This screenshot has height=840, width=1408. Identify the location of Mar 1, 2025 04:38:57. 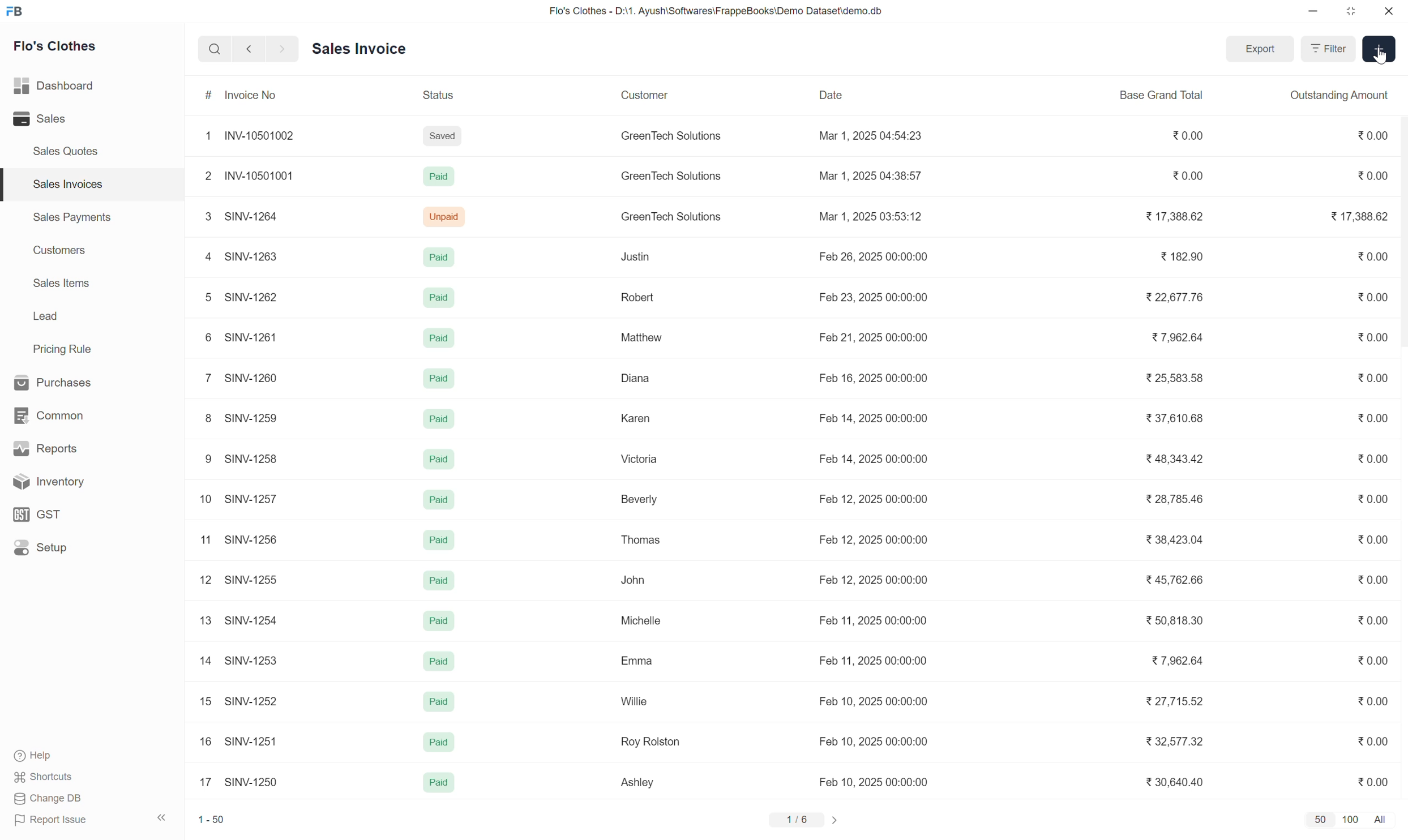
(874, 178).